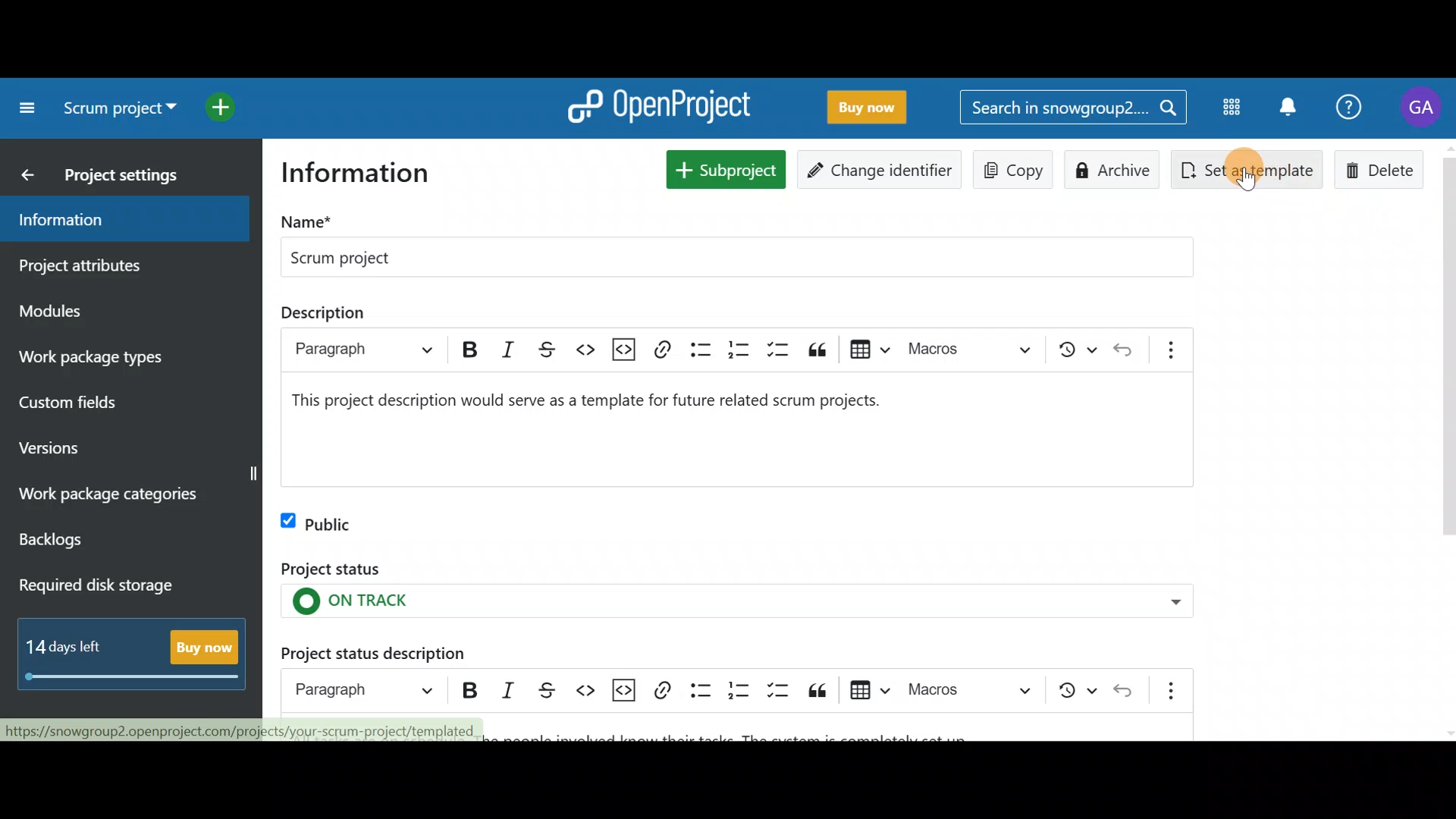  What do you see at coordinates (871, 349) in the screenshot?
I see `insert table` at bounding box center [871, 349].